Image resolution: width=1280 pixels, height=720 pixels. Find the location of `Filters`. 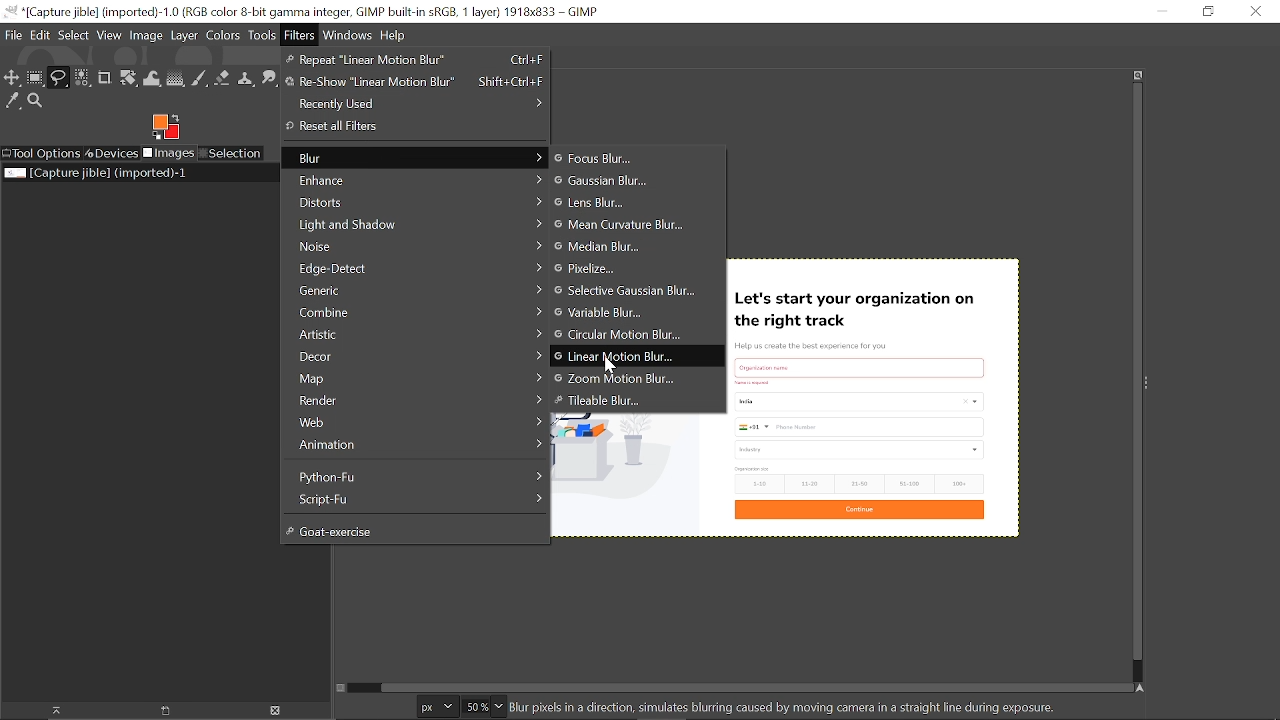

Filters is located at coordinates (301, 36).